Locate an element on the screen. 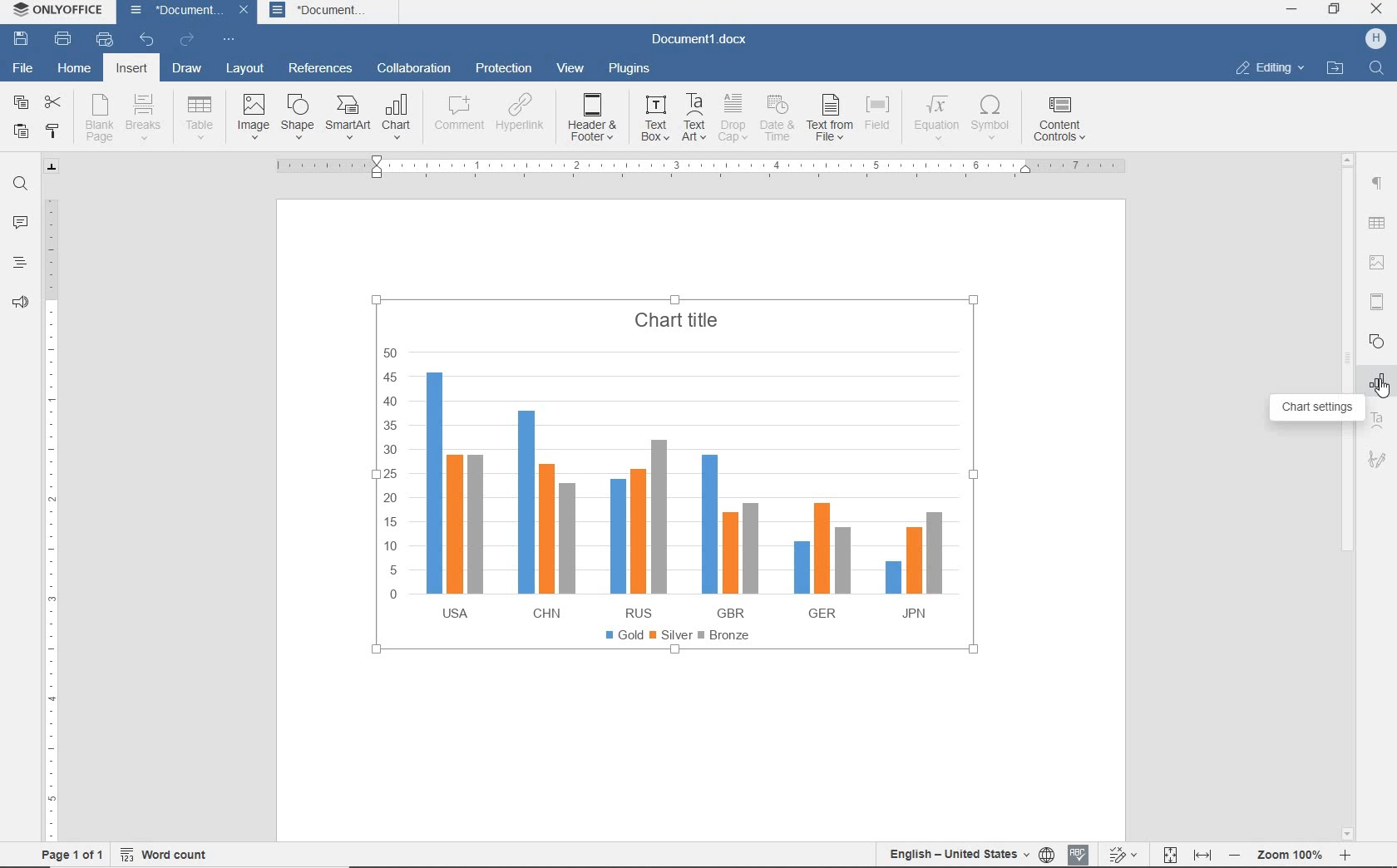  view is located at coordinates (572, 67).